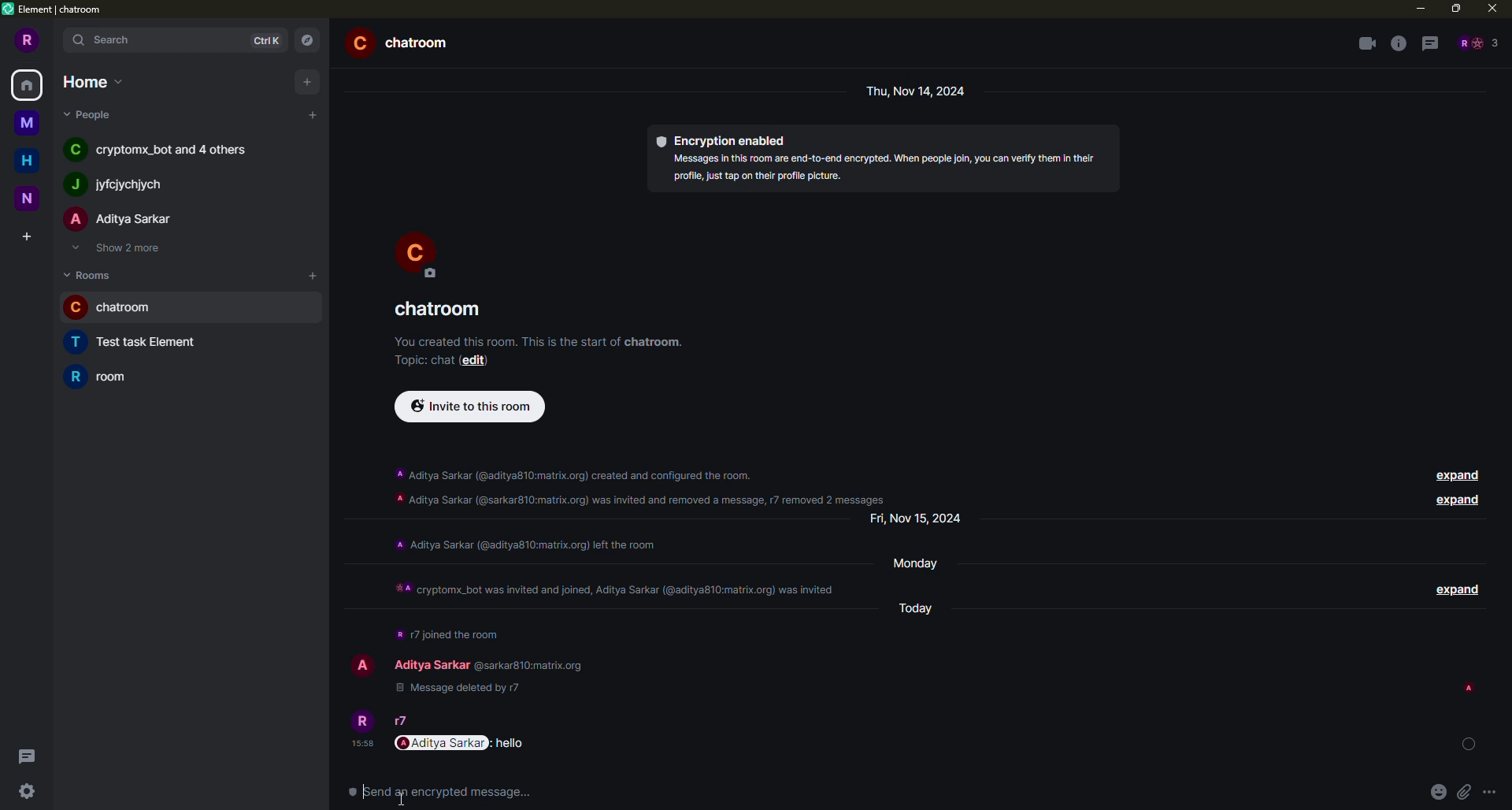  Describe the element at coordinates (441, 792) in the screenshot. I see `send an encrypted message...` at that location.